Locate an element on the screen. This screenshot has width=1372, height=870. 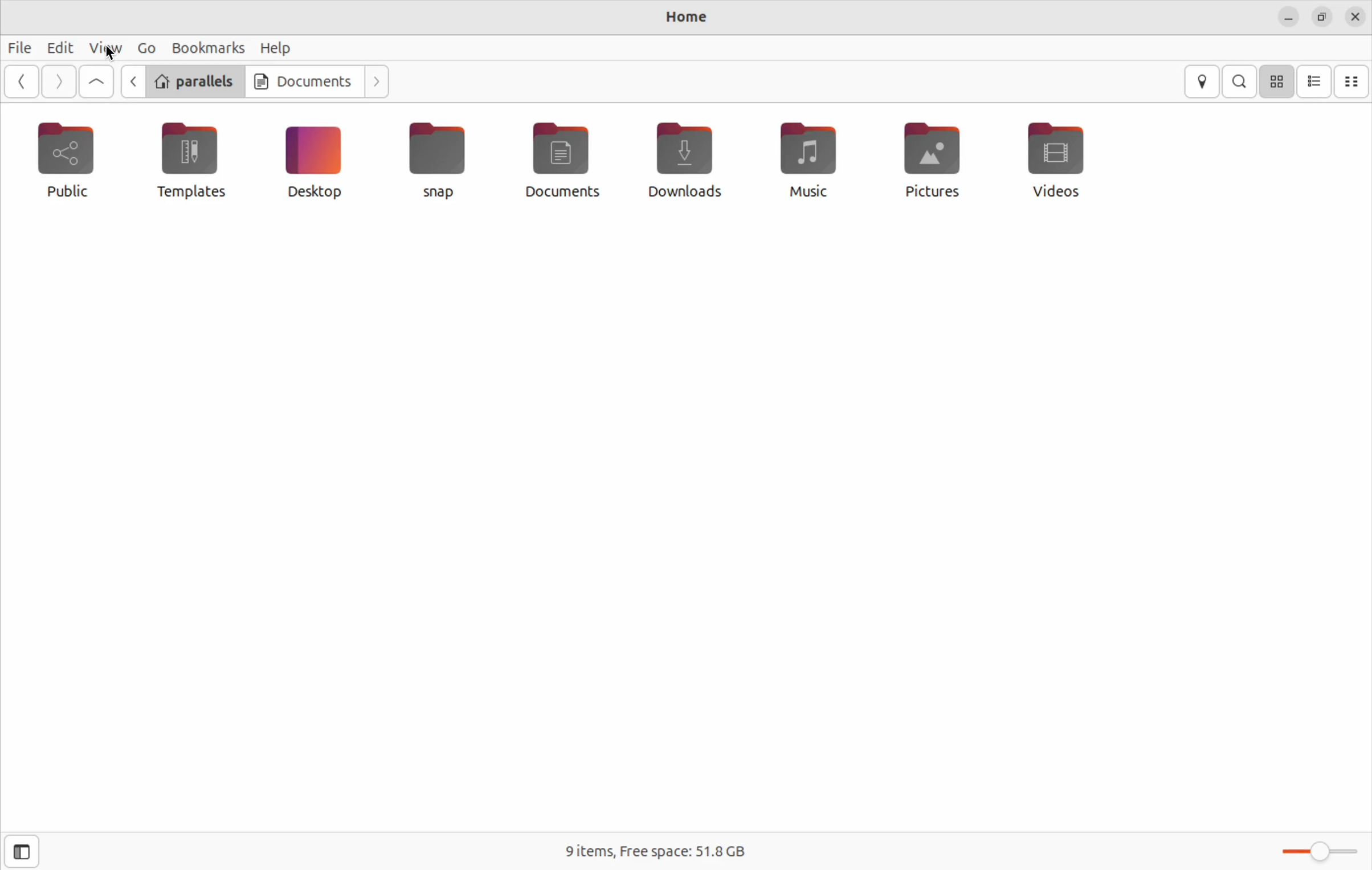
music is located at coordinates (807, 165).